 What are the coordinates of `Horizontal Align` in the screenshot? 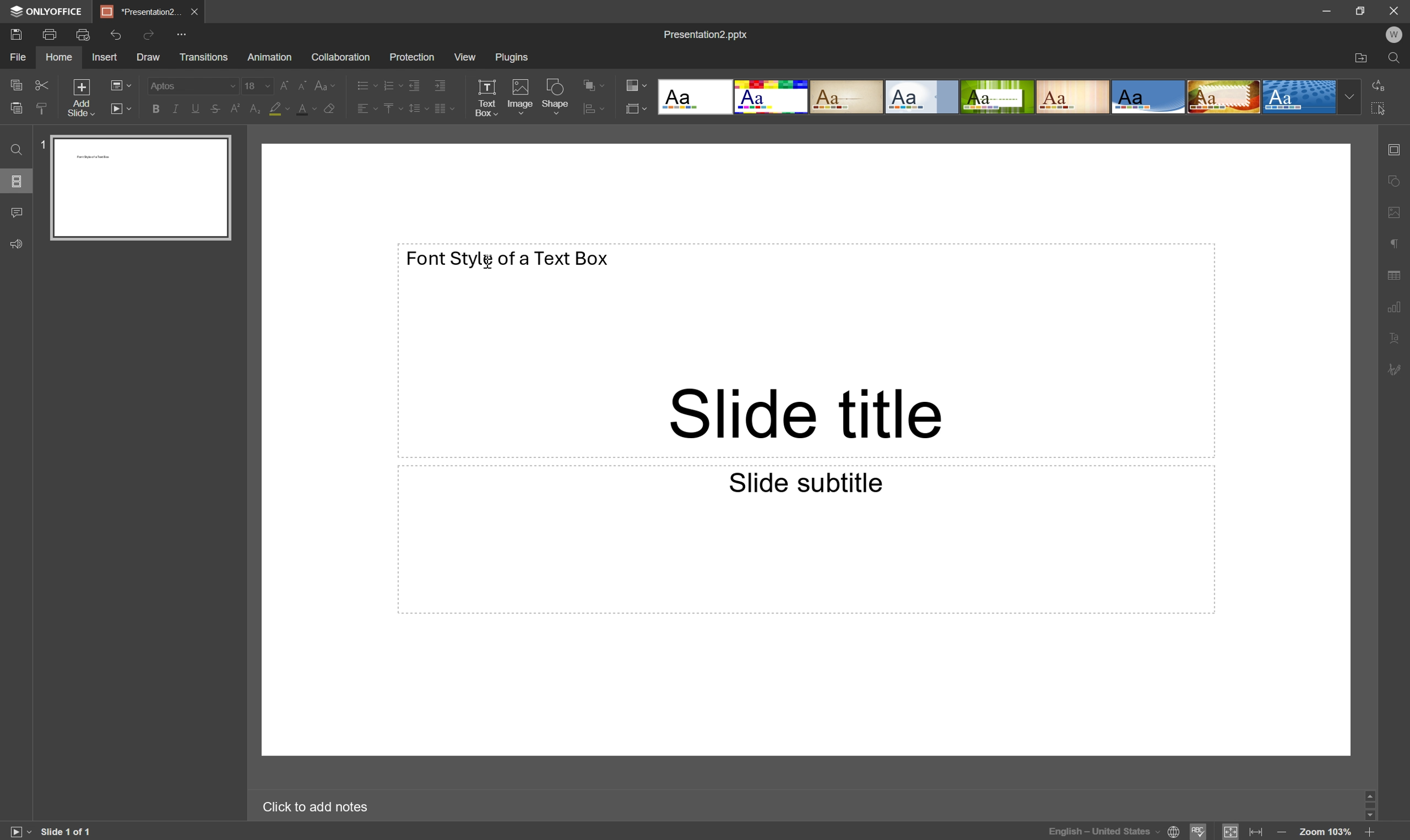 It's located at (368, 108).